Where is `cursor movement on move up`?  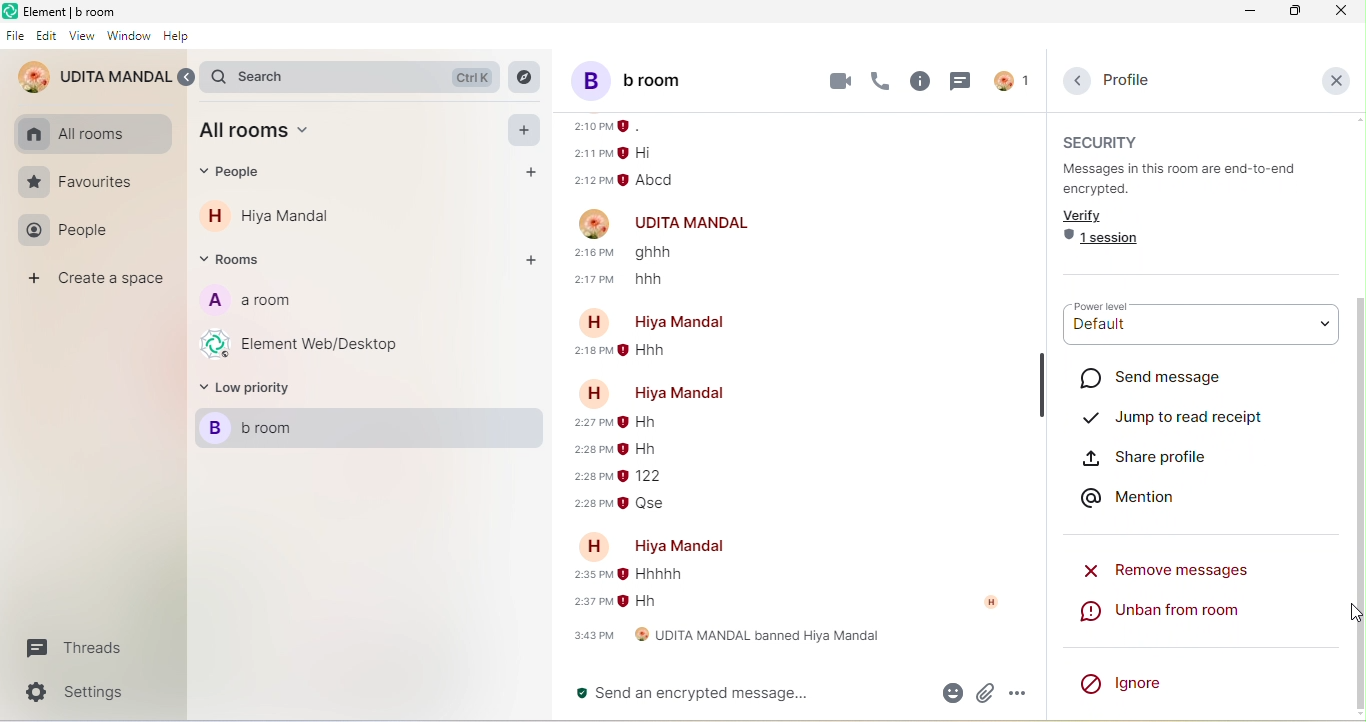
cursor movement on move up is located at coordinates (1351, 613).